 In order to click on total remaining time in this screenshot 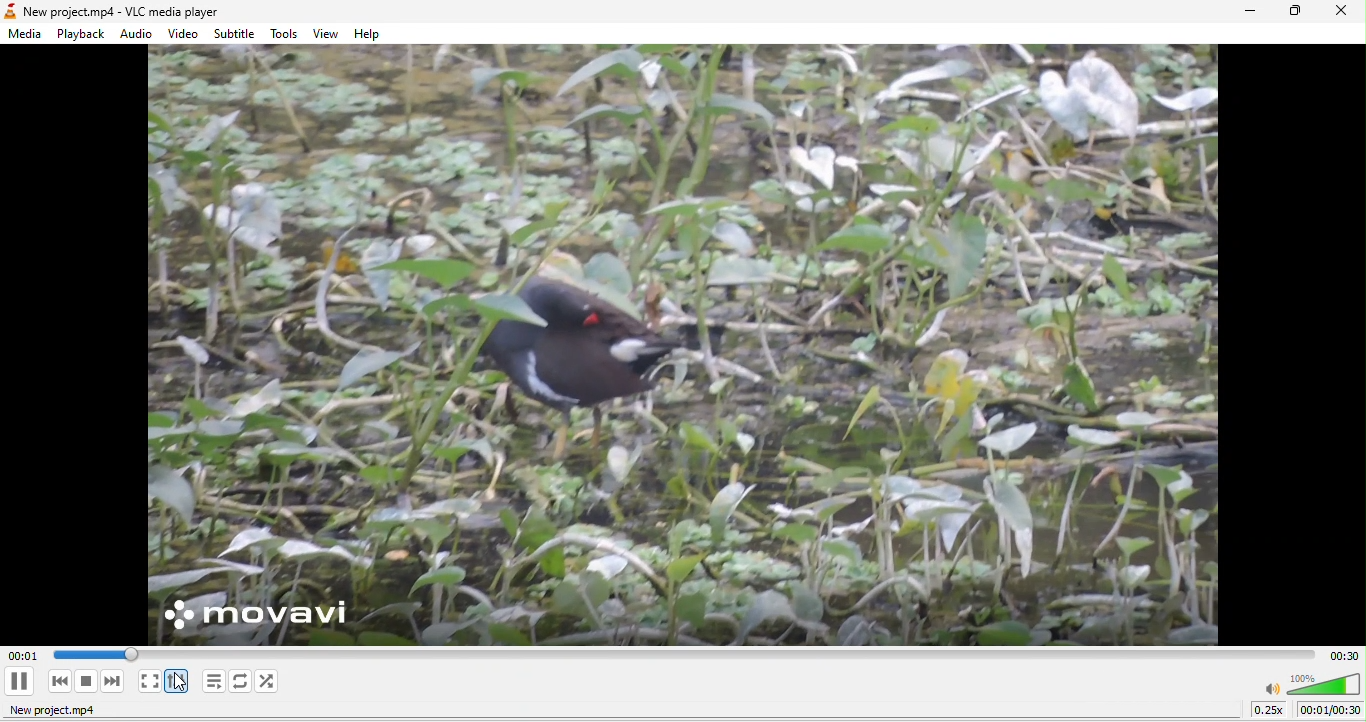, I will do `click(1346, 656)`.